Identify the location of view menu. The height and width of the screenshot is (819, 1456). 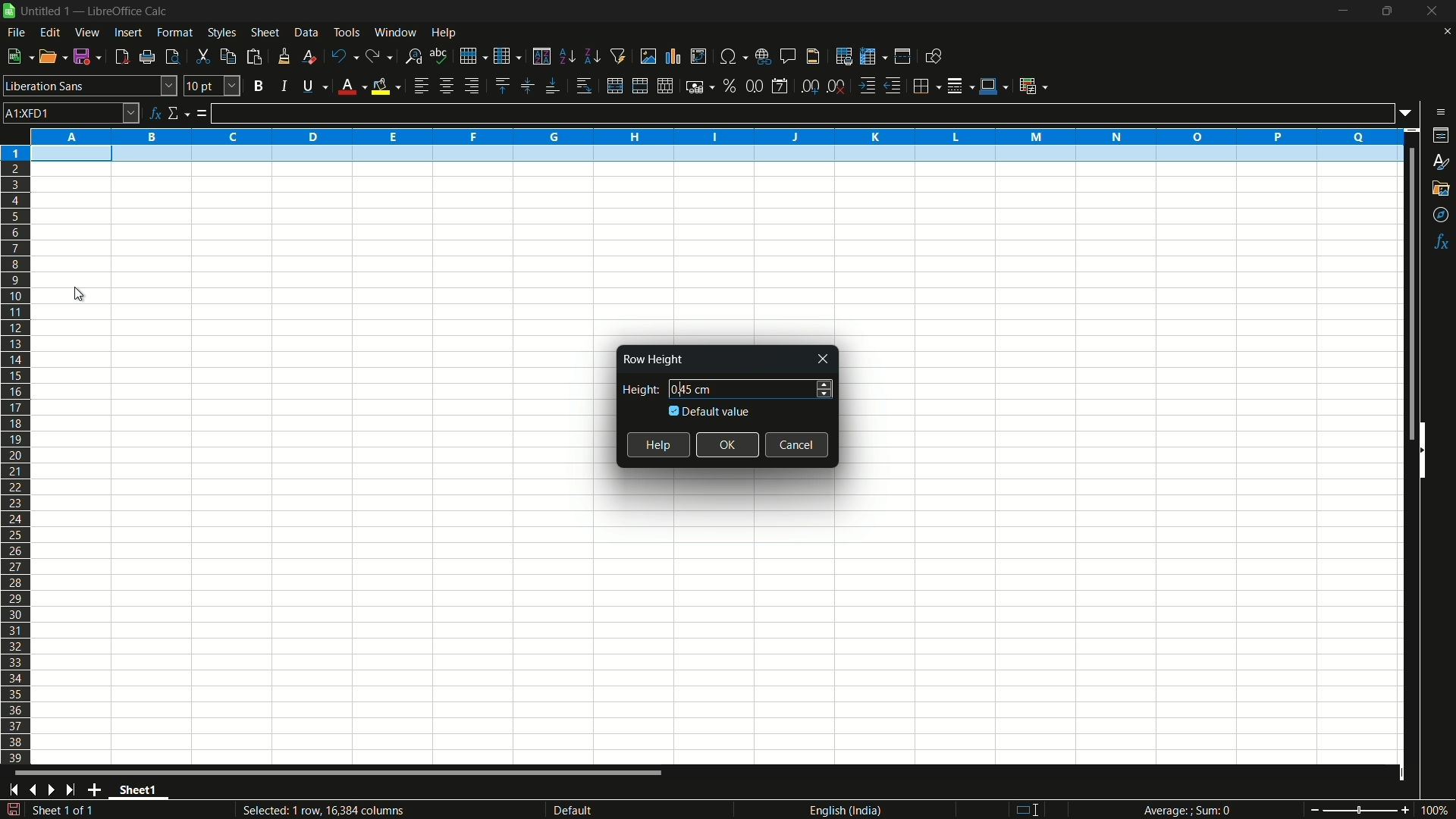
(88, 33).